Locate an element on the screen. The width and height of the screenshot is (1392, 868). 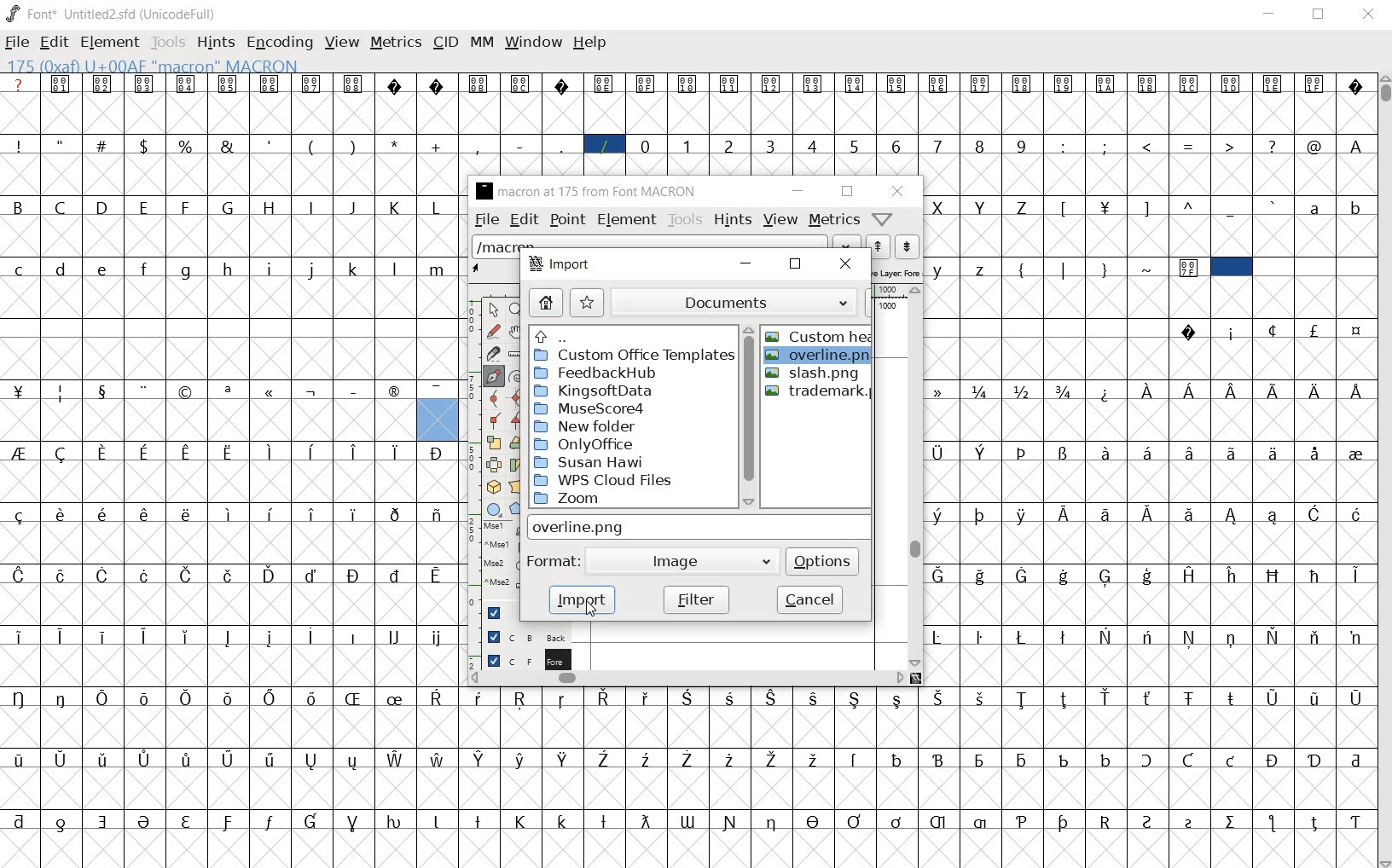
Symbol is located at coordinates (1274, 331).